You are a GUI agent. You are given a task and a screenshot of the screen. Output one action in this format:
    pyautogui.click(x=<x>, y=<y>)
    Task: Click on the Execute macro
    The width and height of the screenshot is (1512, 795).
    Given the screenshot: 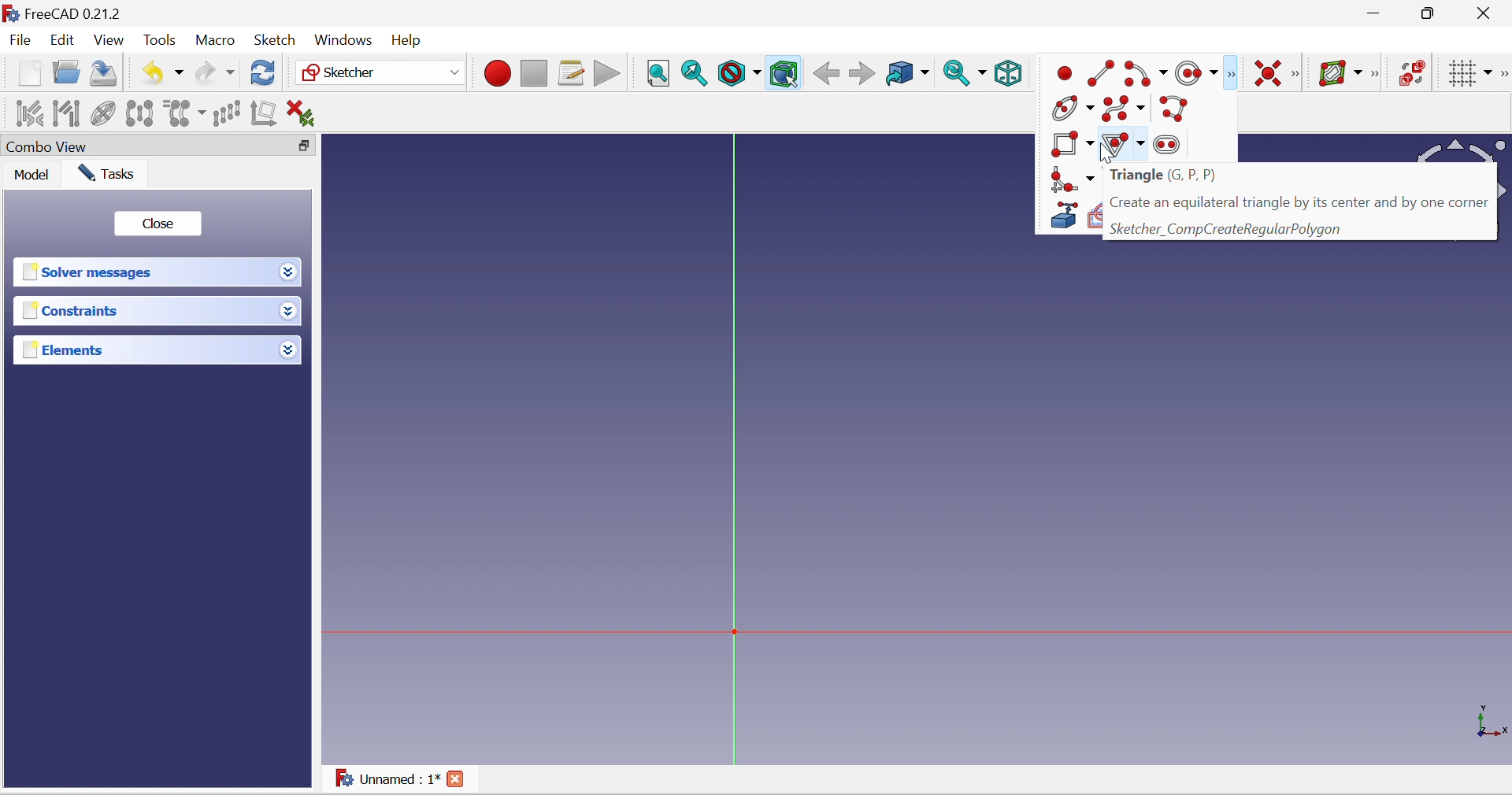 What is the action you would take?
    pyautogui.click(x=605, y=72)
    